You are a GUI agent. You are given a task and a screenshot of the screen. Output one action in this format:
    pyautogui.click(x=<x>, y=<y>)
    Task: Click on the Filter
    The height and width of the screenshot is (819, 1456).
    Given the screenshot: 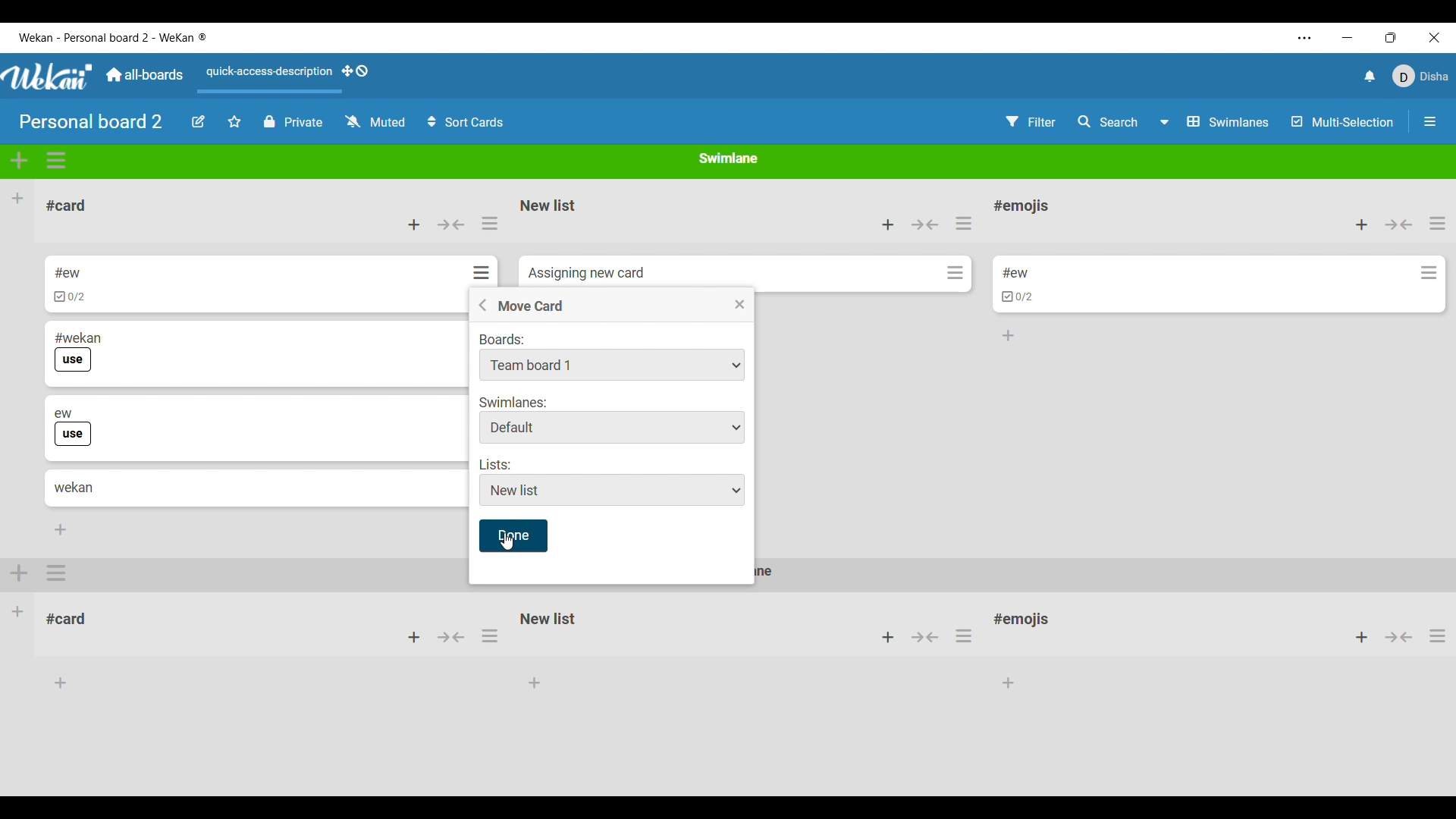 What is the action you would take?
    pyautogui.click(x=1031, y=122)
    